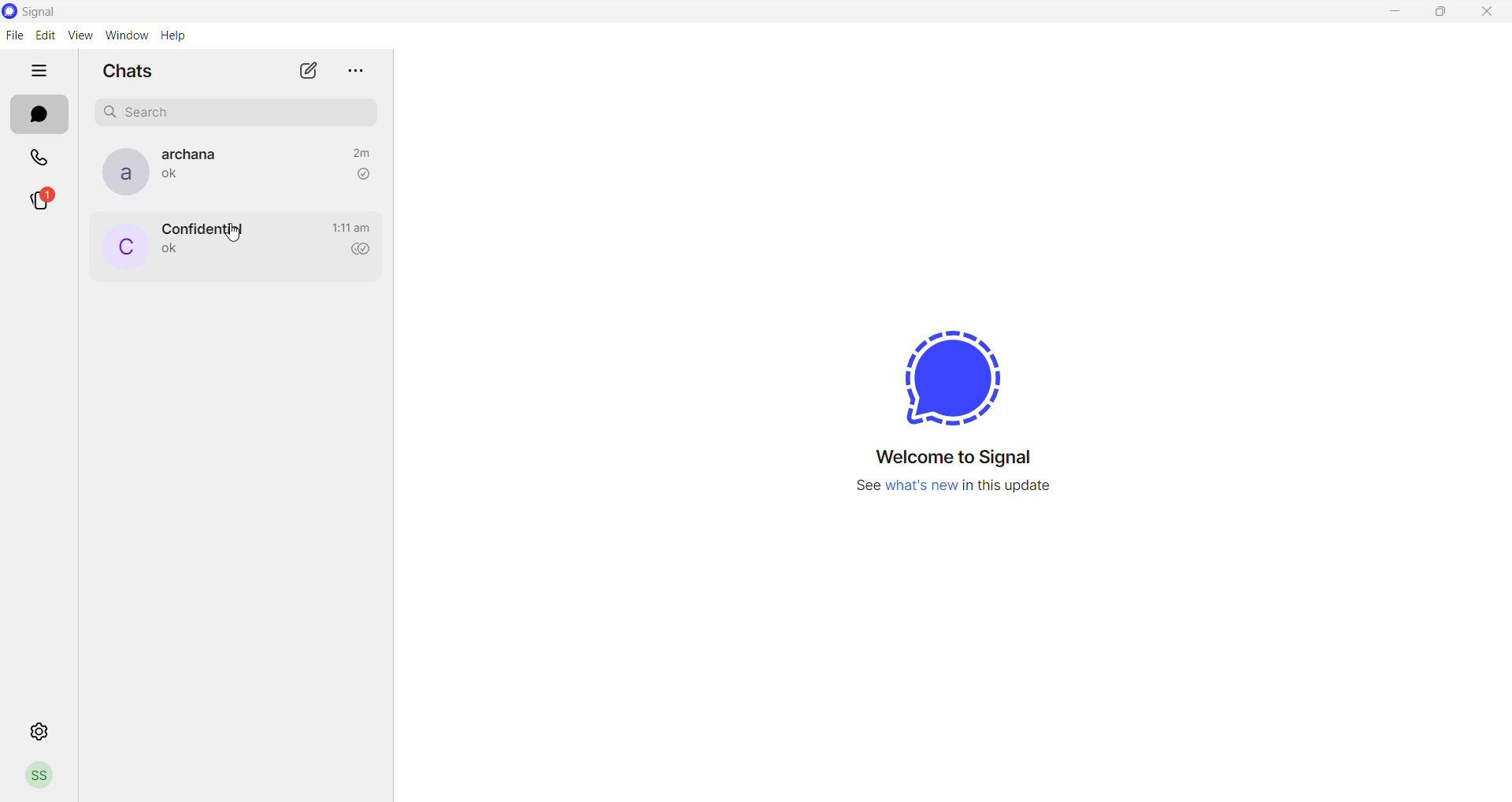  What do you see at coordinates (127, 74) in the screenshot?
I see `chats heading` at bounding box center [127, 74].